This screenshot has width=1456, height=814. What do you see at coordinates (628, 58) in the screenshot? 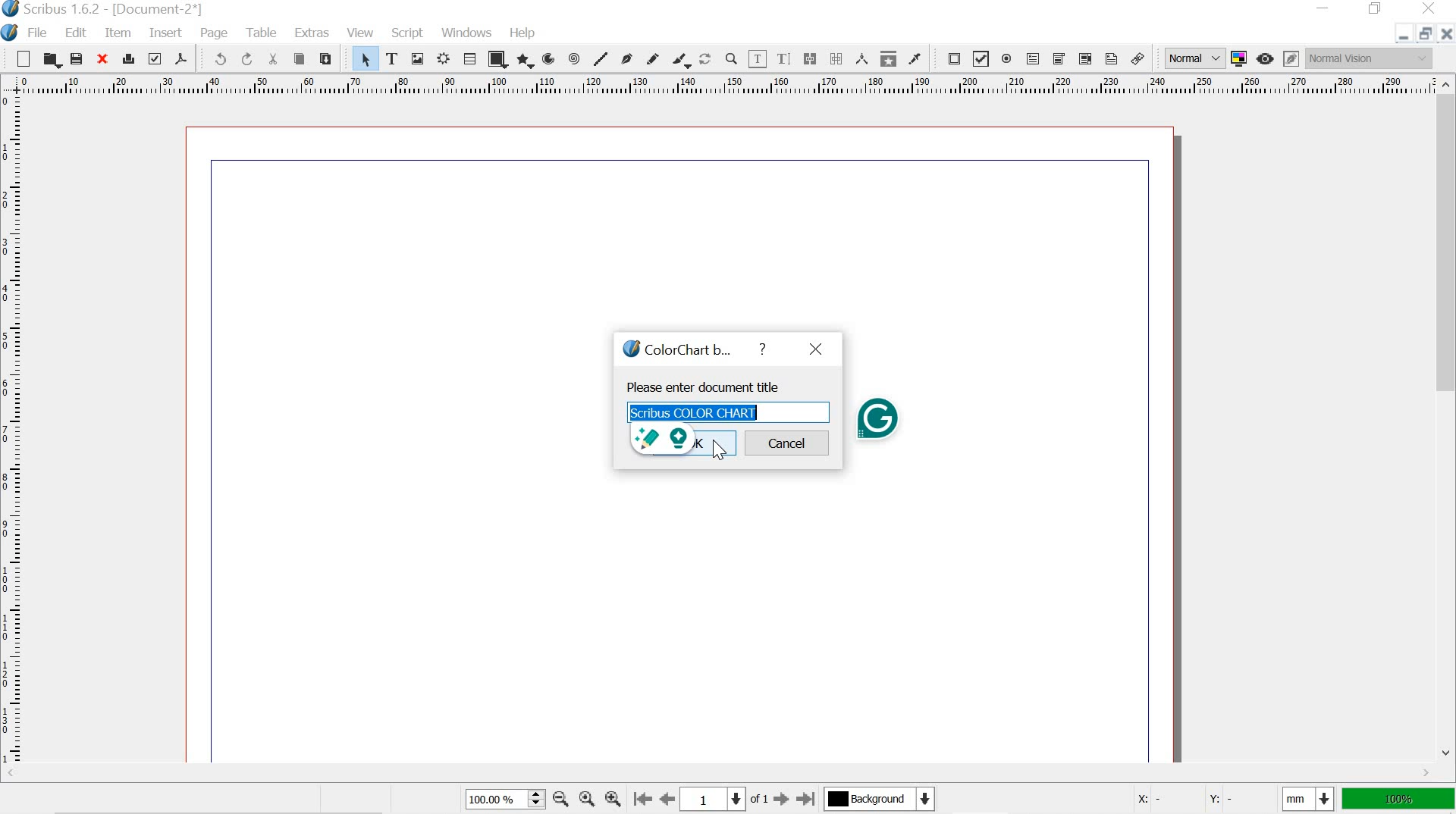
I see `bezier curve` at bounding box center [628, 58].